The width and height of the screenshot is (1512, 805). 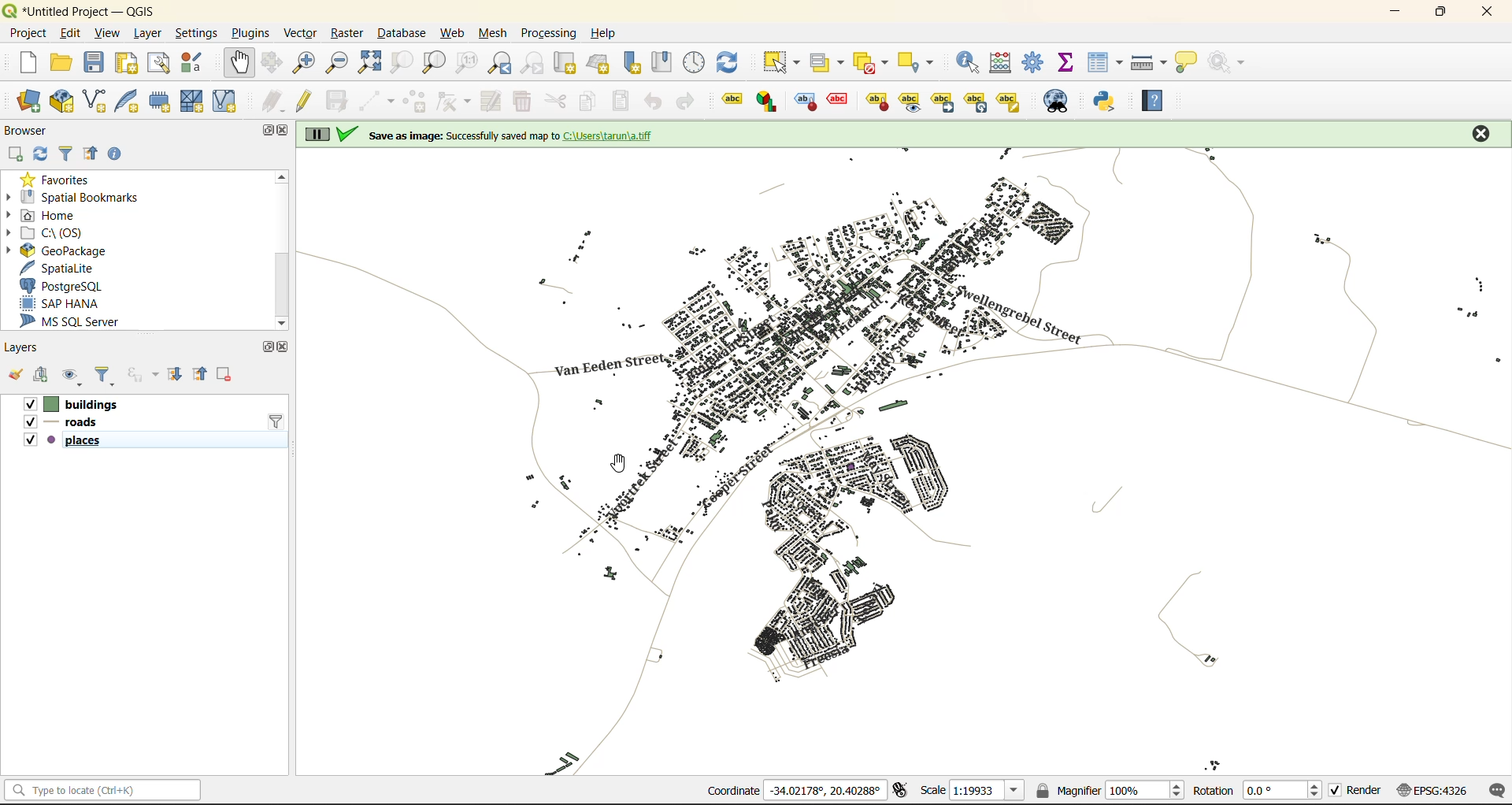 I want to click on zoom selection, so click(x=398, y=63).